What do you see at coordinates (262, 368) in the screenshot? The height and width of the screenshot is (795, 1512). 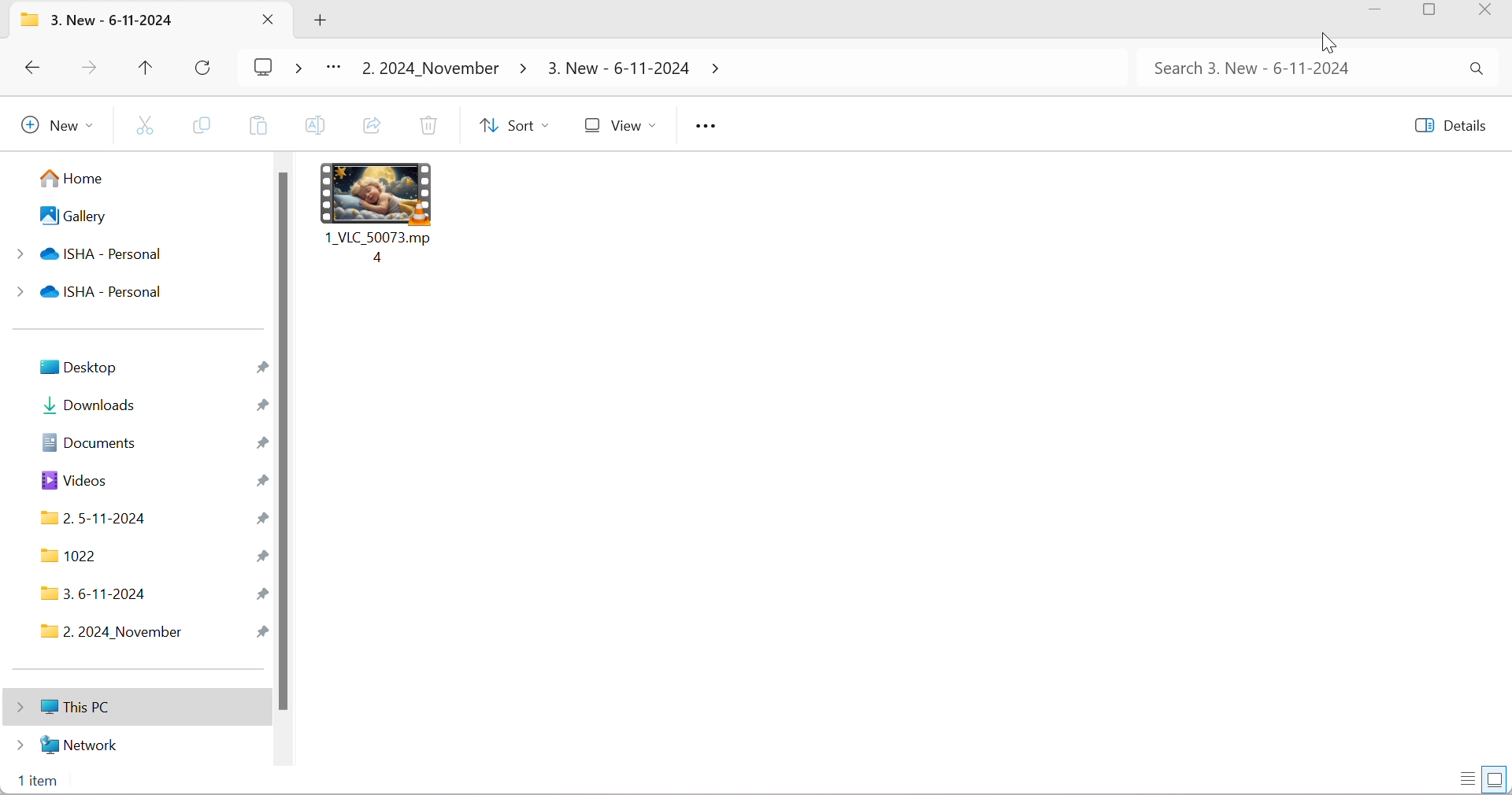 I see `Pin` at bounding box center [262, 368].